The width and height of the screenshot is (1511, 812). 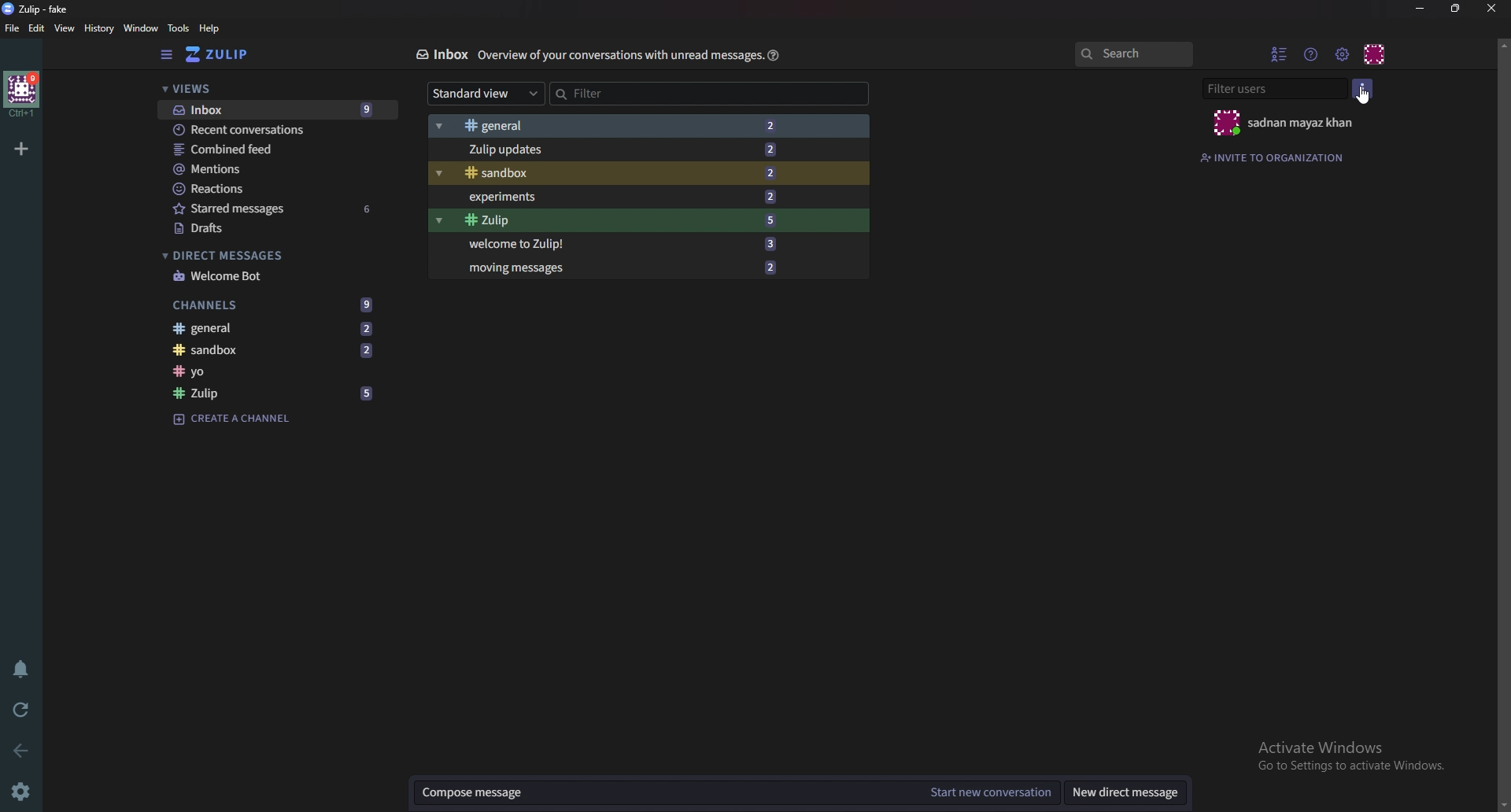 What do you see at coordinates (37, 9) in the screenshot?
I see `zulip` at bounding box center [37, 9].